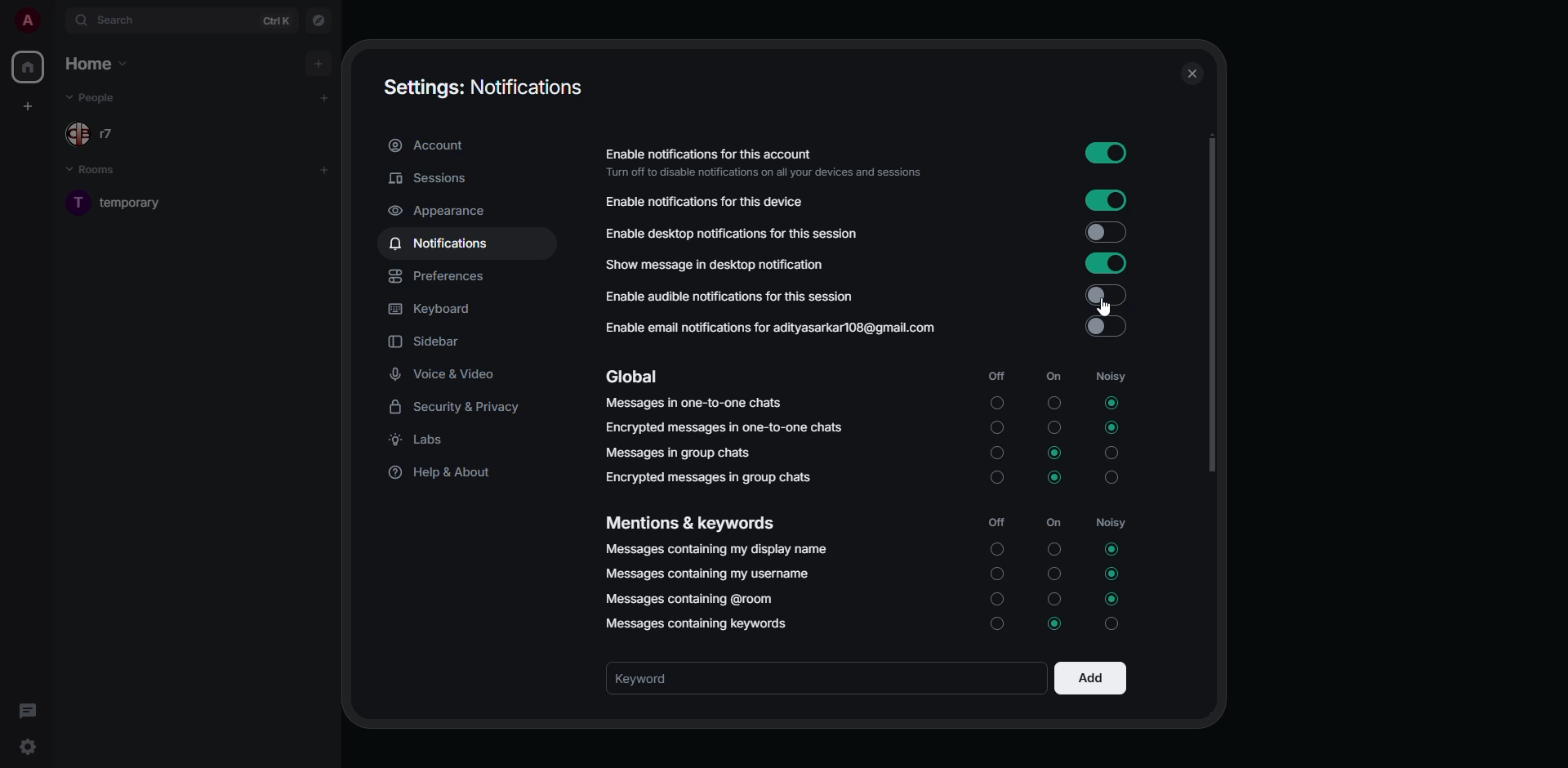 This screenshot has width=1568, height=768. Describe the element at coordinates (998, 625) in the screenshot. I see `Off Unselected` at that location.